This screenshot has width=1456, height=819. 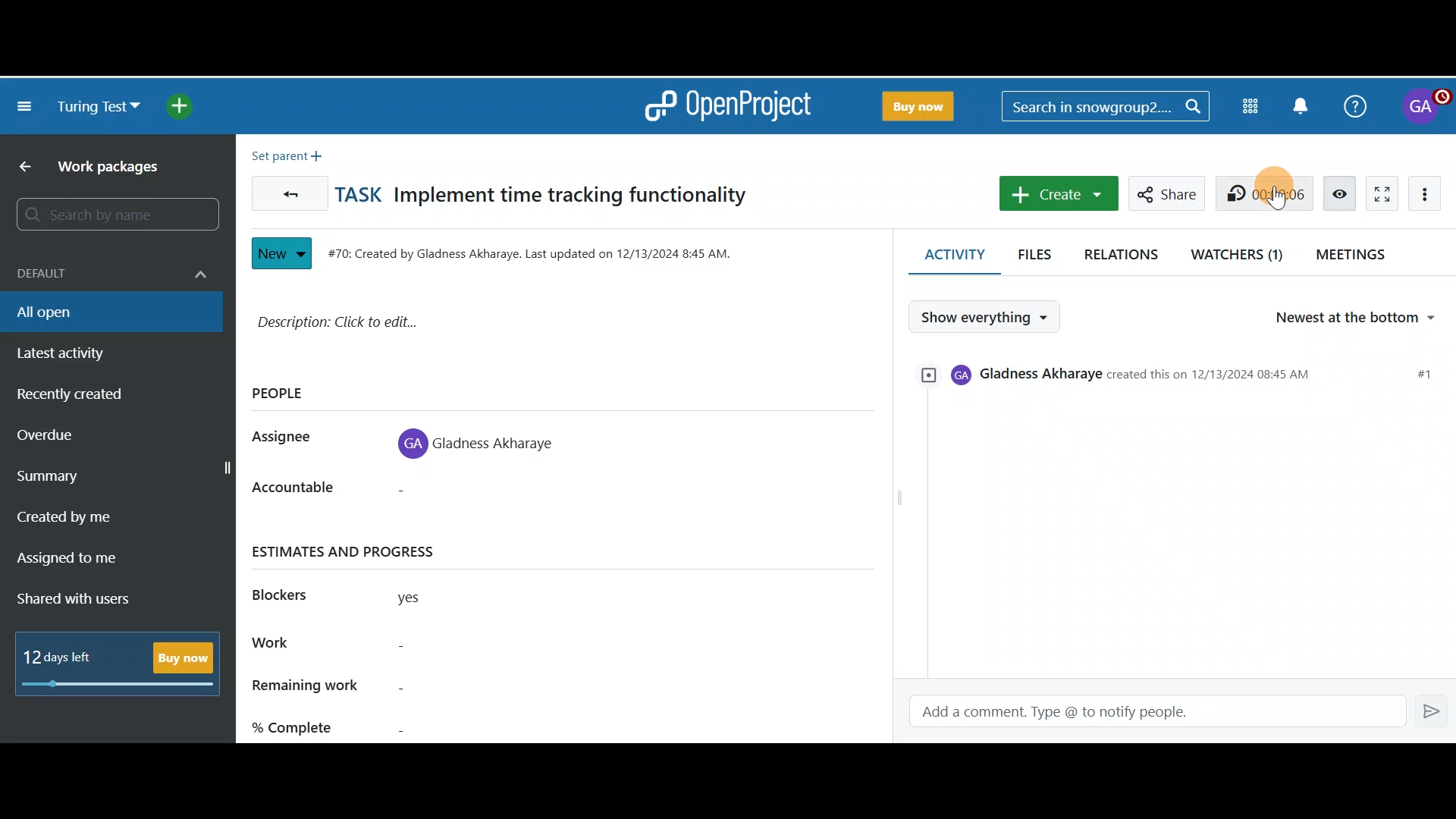 What do you see at coordinates (1125, 252) in the screenshot?
I see `Relations` at bounding box center [1125, 252].